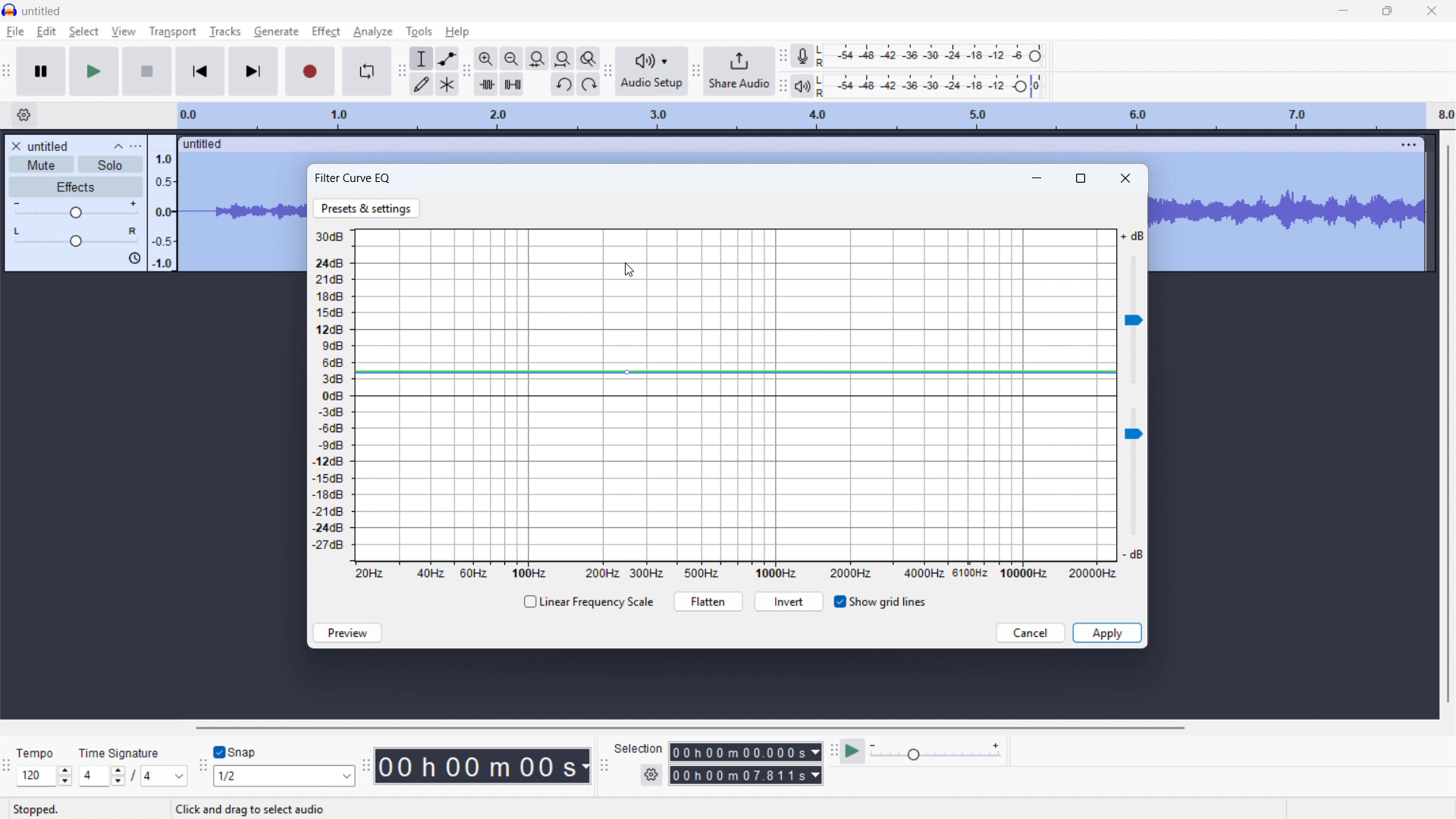 This screenshot has width=1456, height=819. I want to click on amplitude, so click(162, 203).